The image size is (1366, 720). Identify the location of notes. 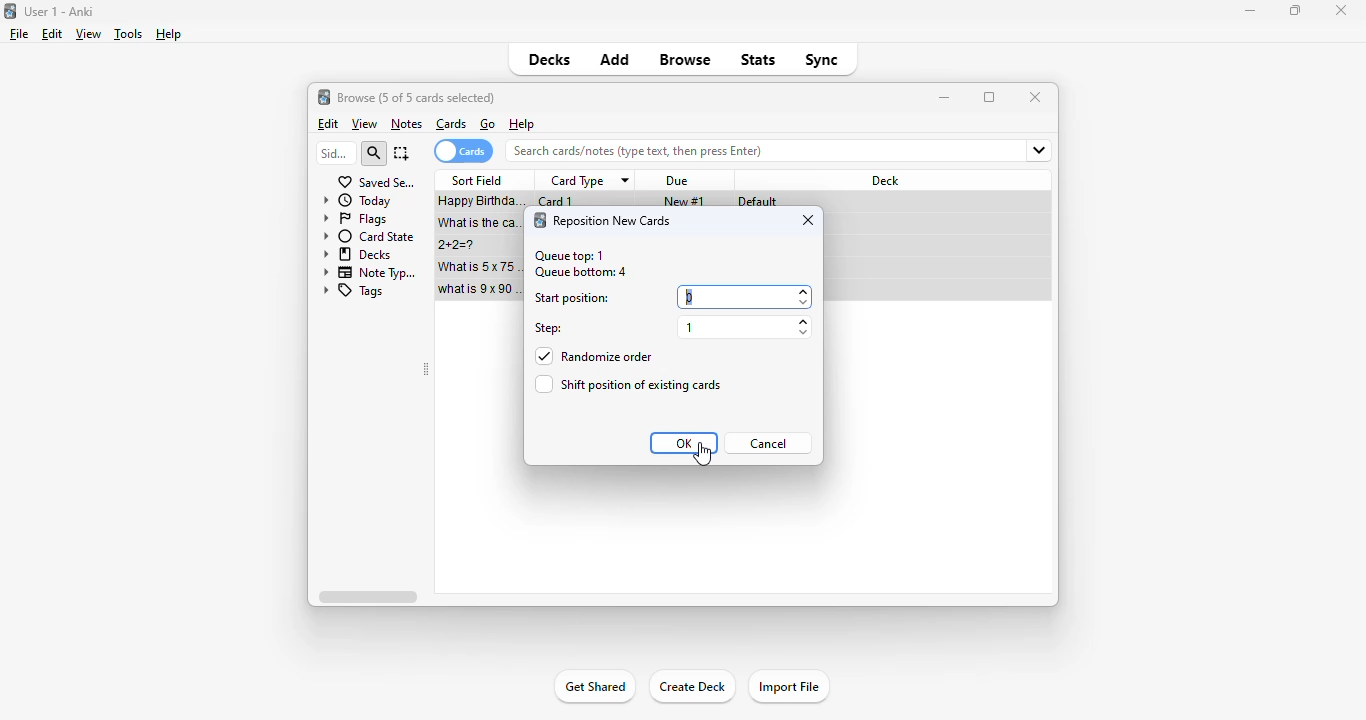
(406, 125).